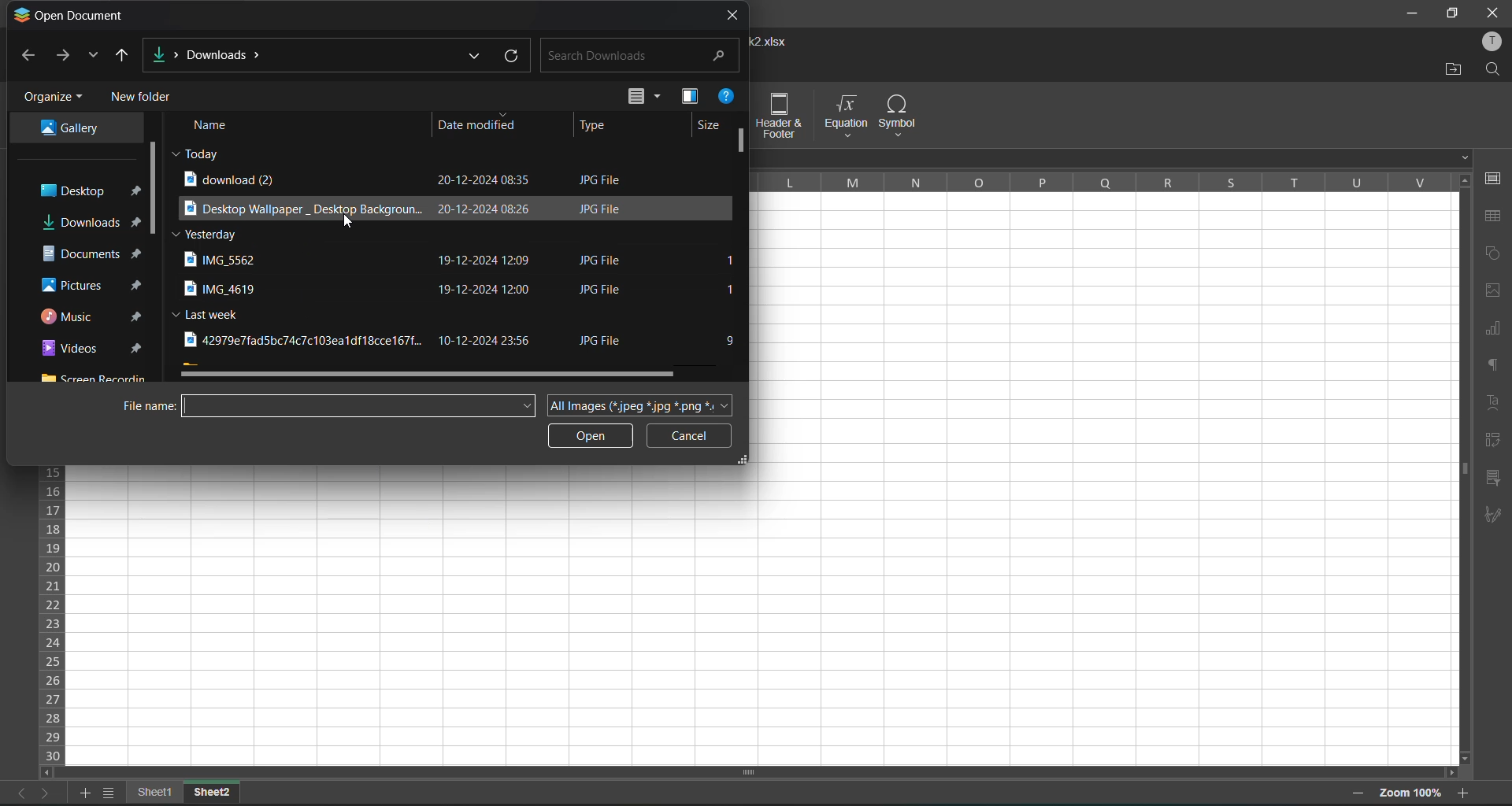 This screenshot has width=1512, height=806. I want to click on previous locations, so click(474, 57).